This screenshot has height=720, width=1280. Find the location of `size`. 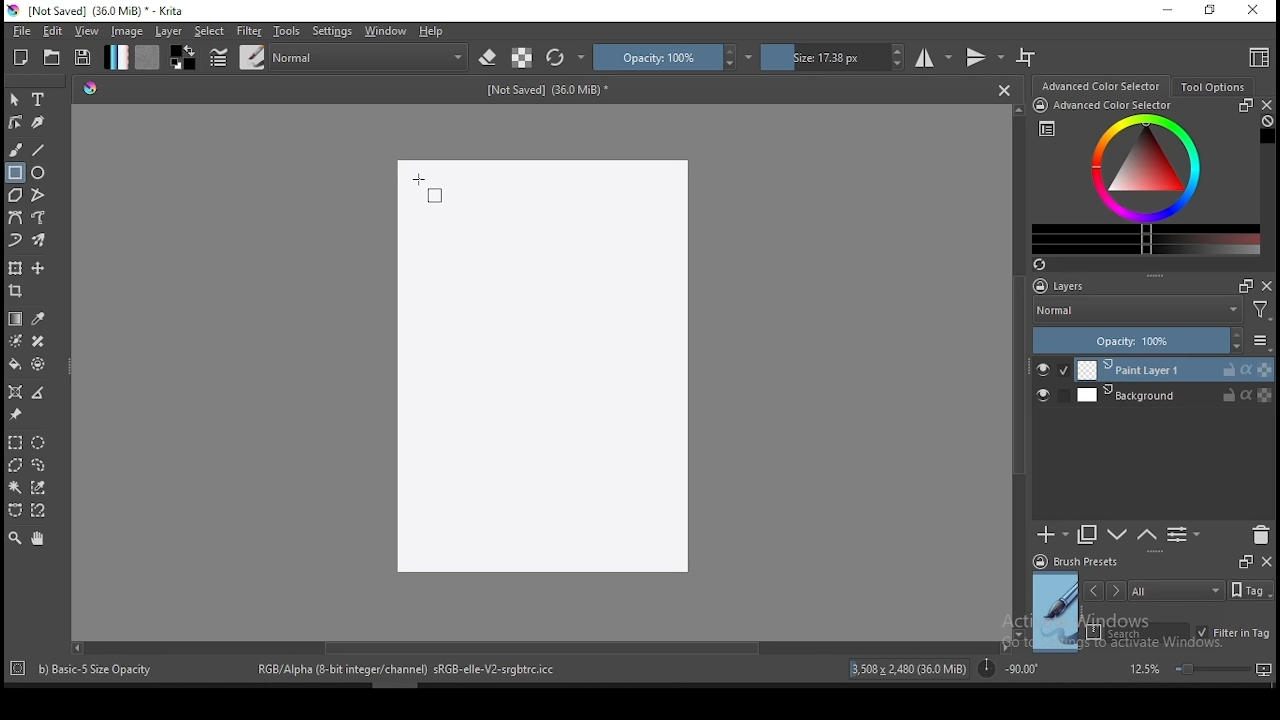

size is located at coordinates (833, 57).